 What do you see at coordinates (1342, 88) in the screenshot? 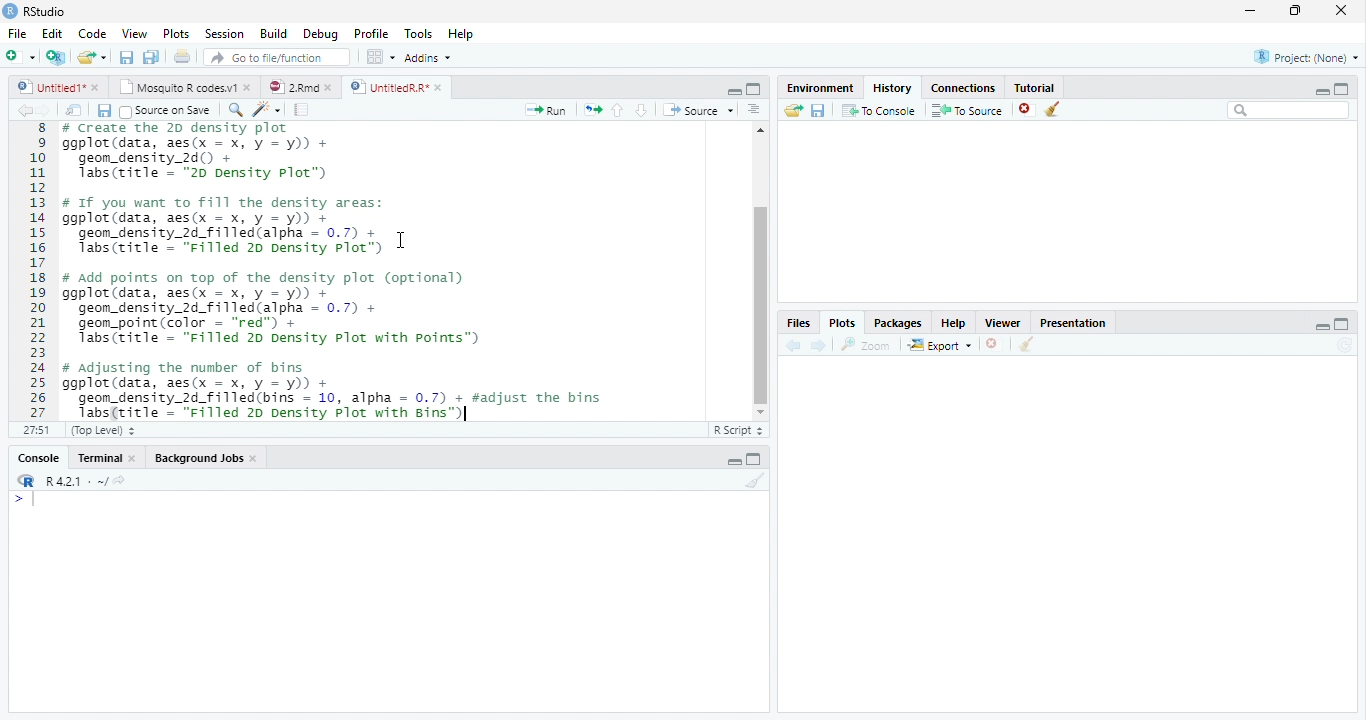
I see `maximize` at bounding box center [1342, 88].